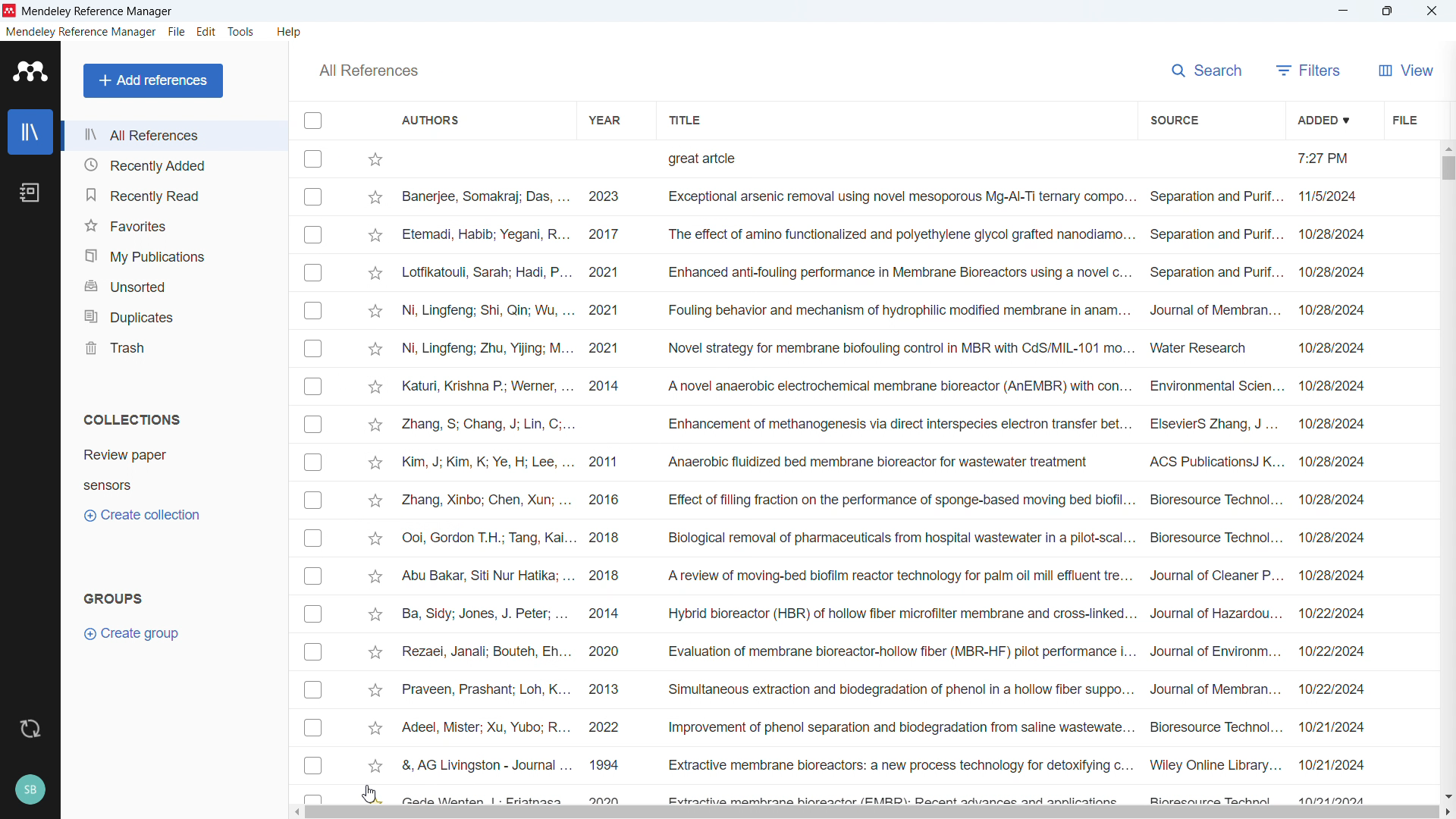  I want to click on Collection 1, so click(176, 455).